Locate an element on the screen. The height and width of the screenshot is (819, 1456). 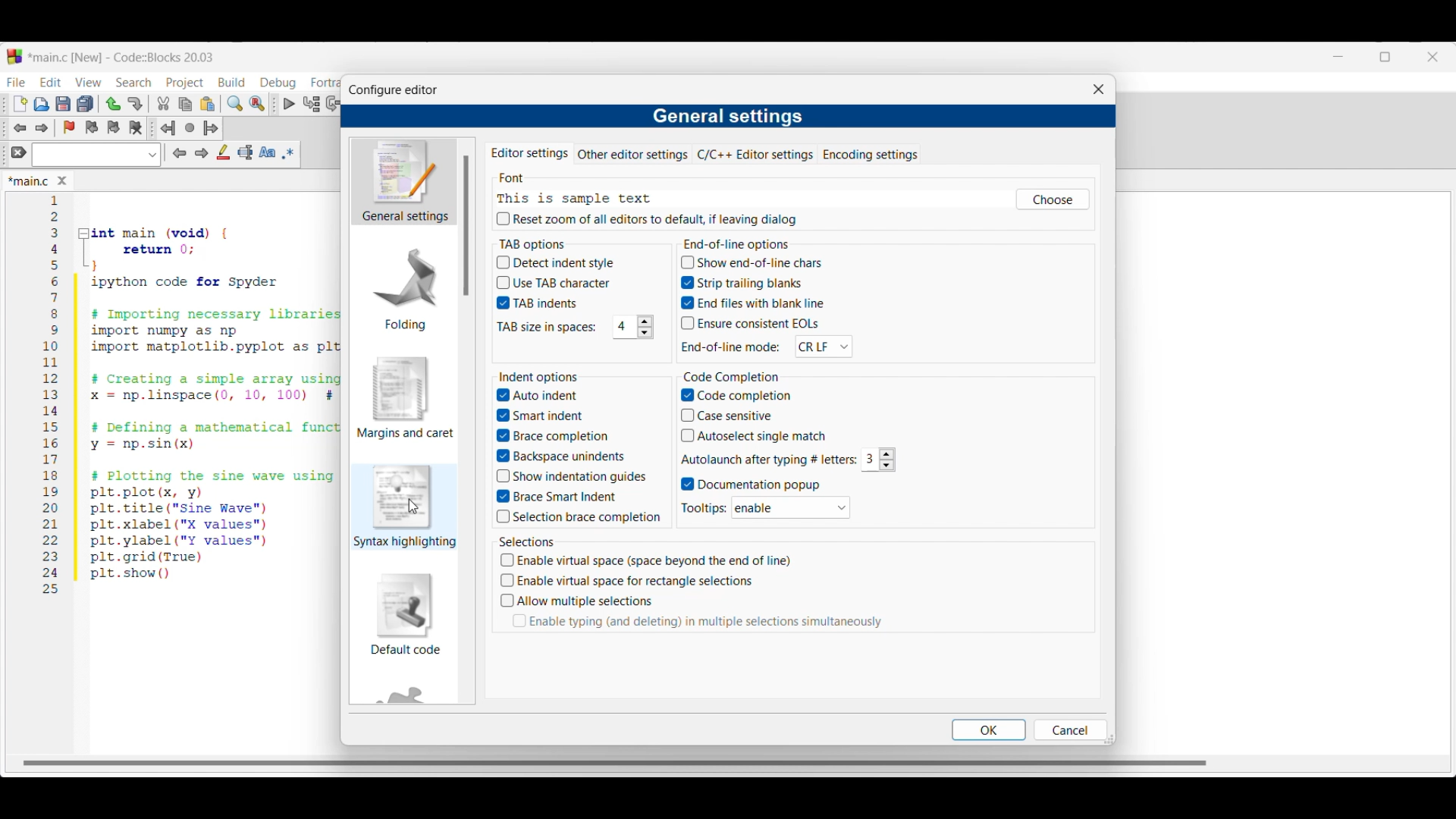
Choose is located at coordinates (1053, 199).